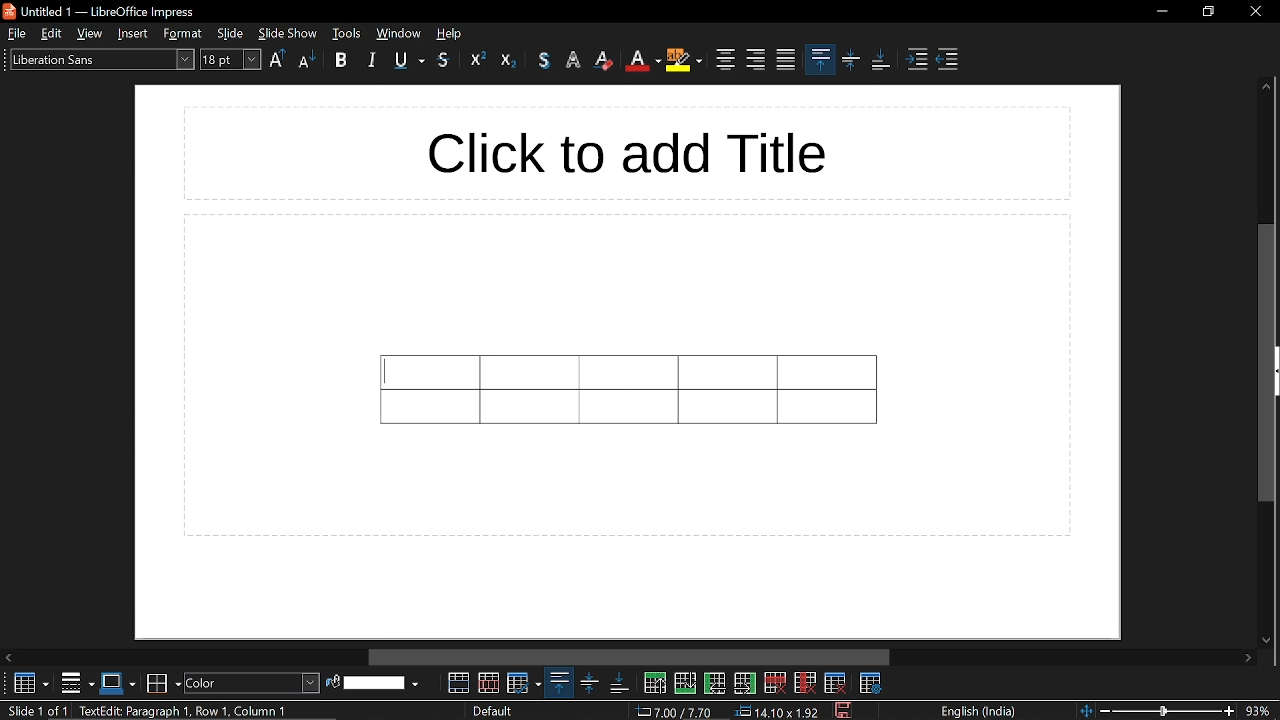 The height and width of the screenshot is (720, 1280). What do you see at coordinates (132, 34) in the screenshot?
I see `insert` at bounding box center [132, 34].